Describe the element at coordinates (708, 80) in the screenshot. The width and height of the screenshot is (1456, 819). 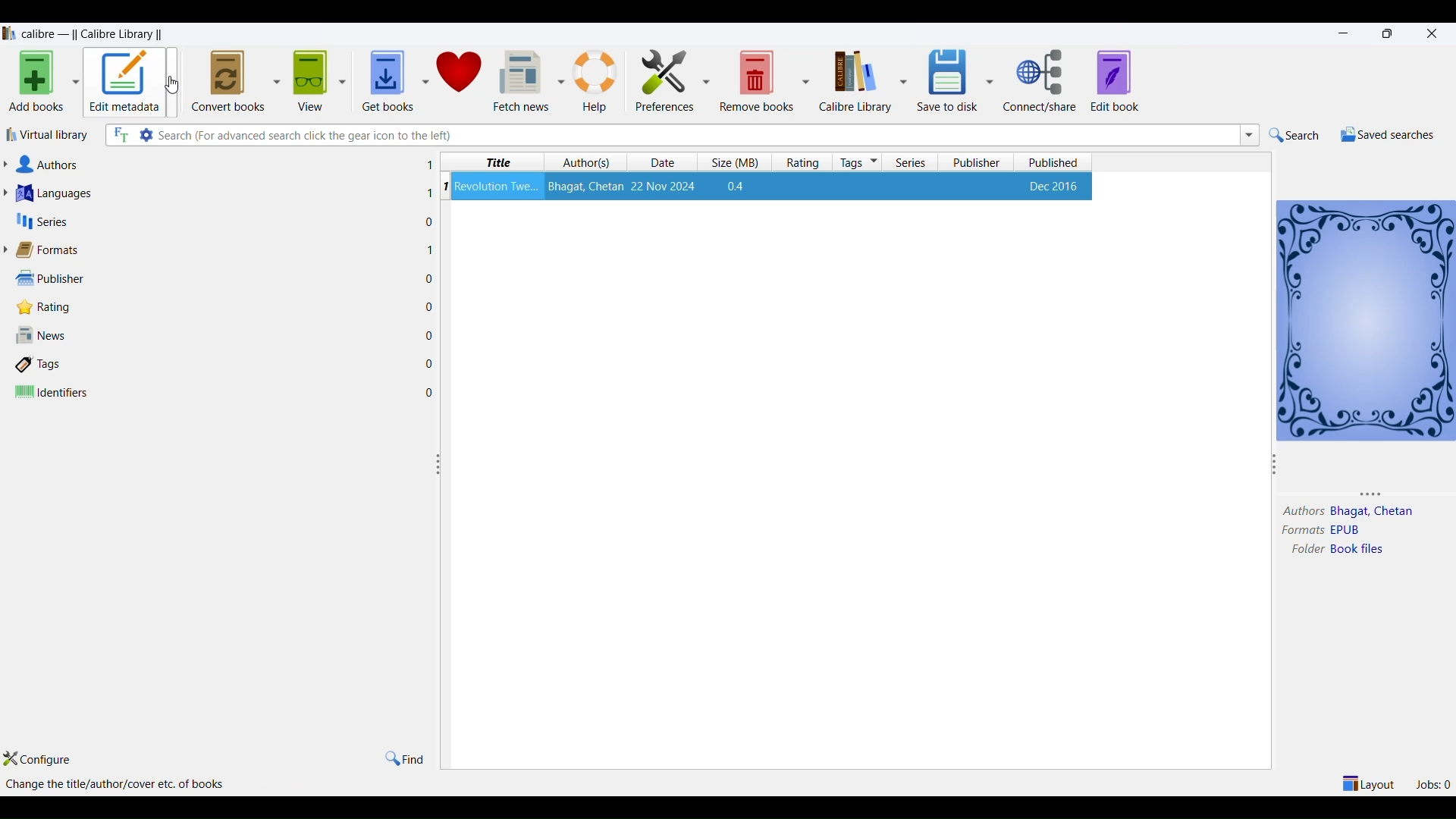
I see `preferences options dropdown button` at that location.